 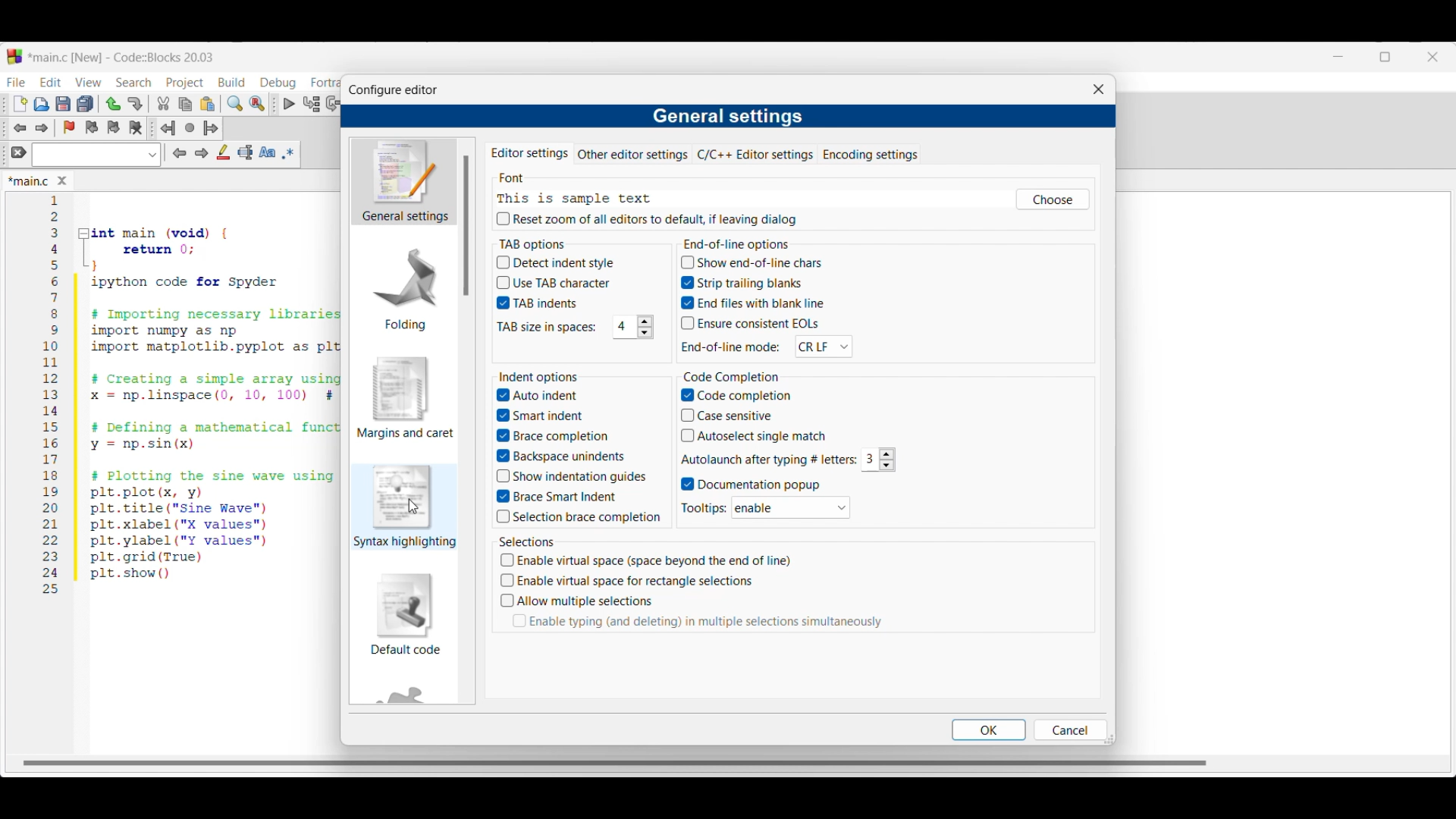 I want to click on Vertical slide bar, so click(x=466, y=225).